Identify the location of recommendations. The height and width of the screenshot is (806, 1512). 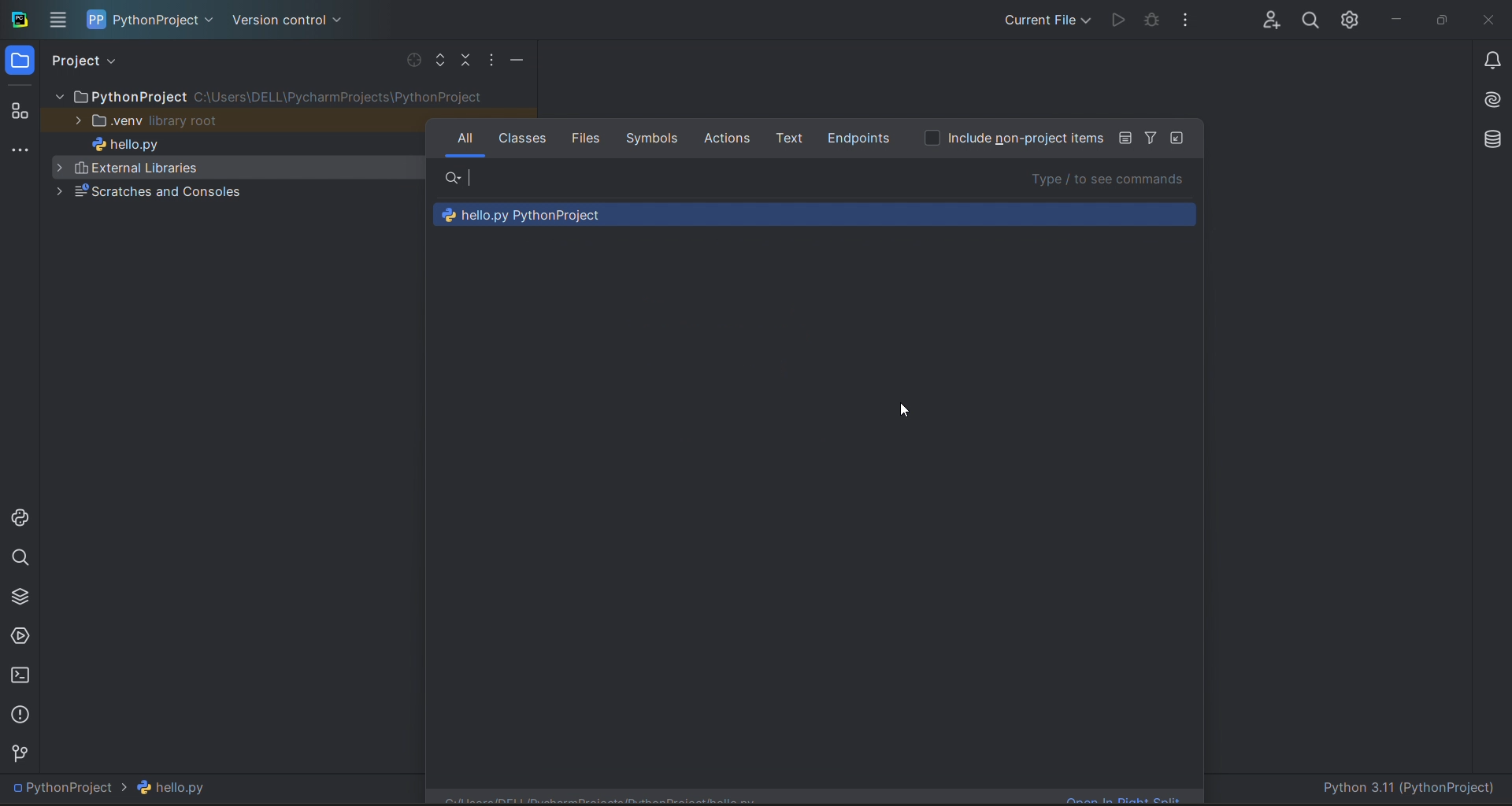
(813, 215).